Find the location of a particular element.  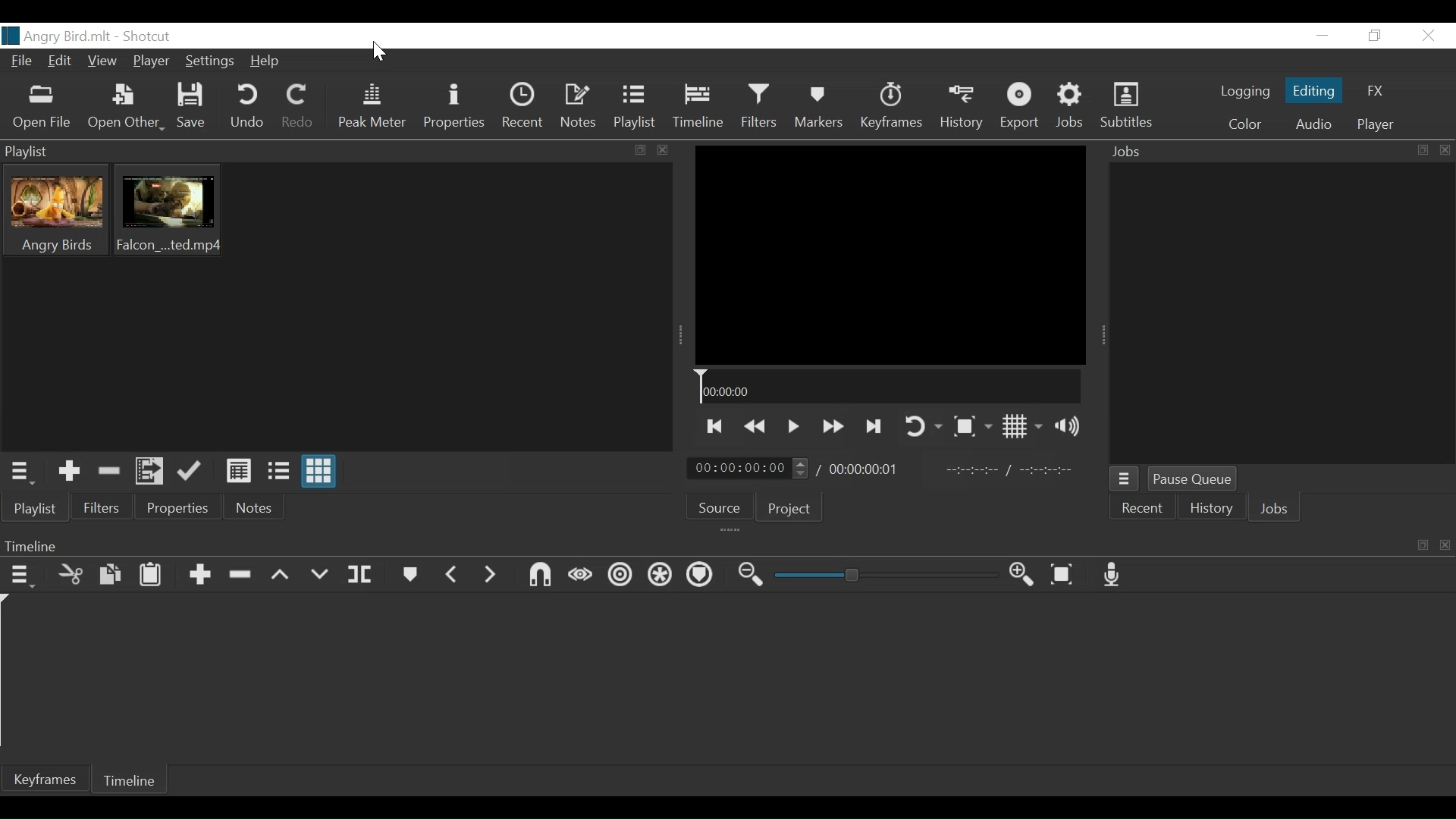

Help is located at coordinates (266, 61).